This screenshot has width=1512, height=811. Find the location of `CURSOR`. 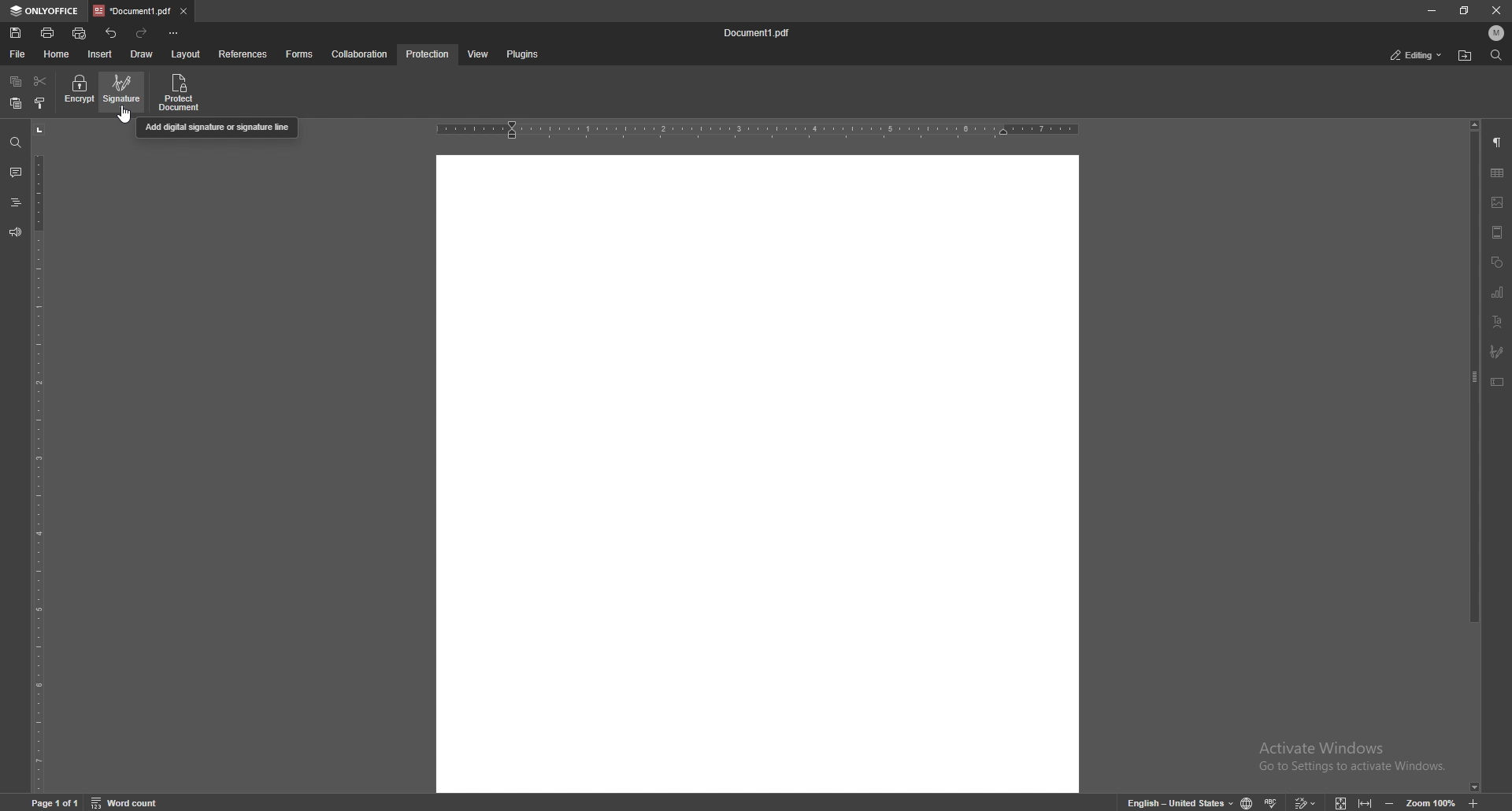

CURSOR is located at coordinates (127, 118).